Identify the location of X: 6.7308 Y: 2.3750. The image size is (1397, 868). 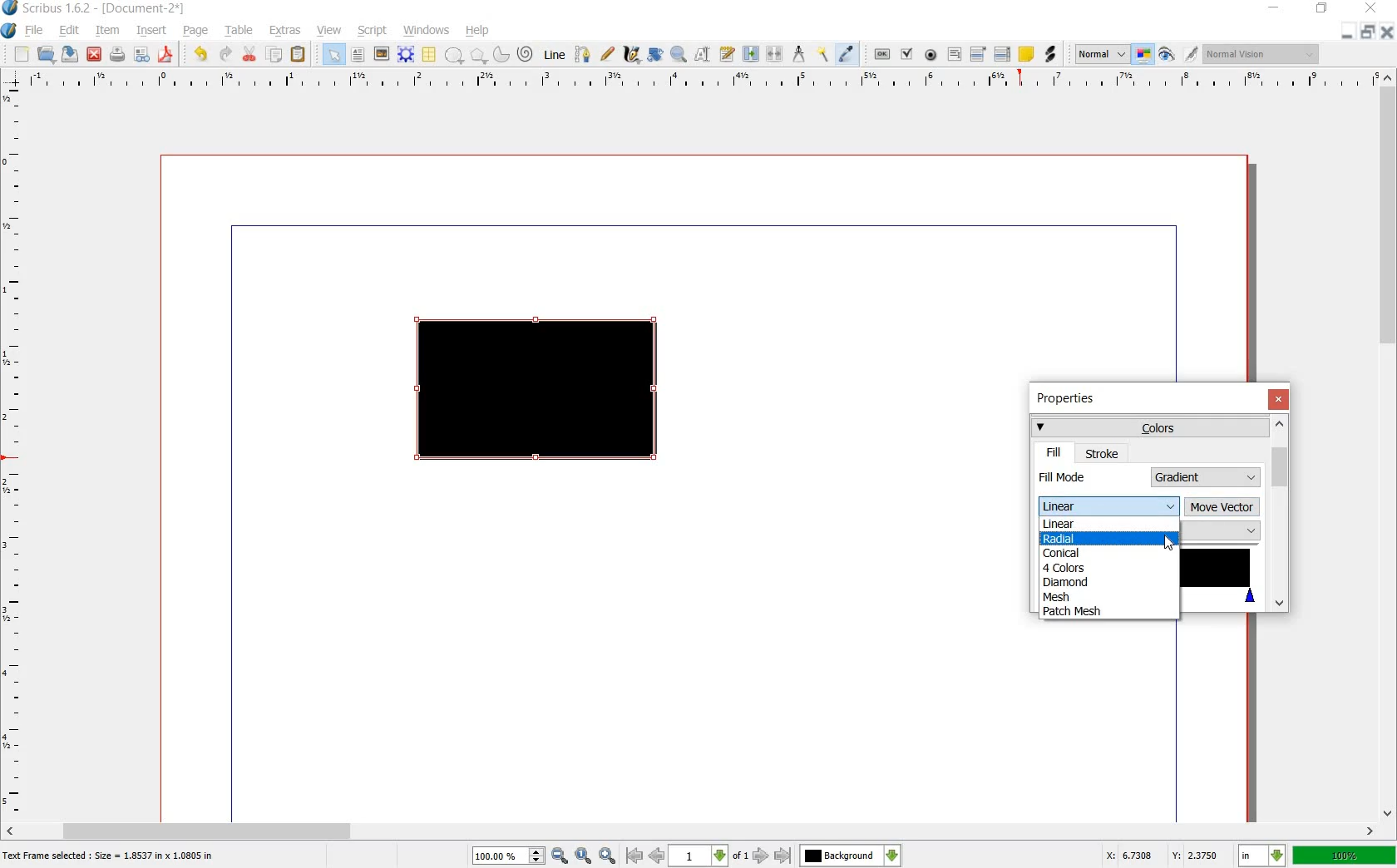
(1162, 855).